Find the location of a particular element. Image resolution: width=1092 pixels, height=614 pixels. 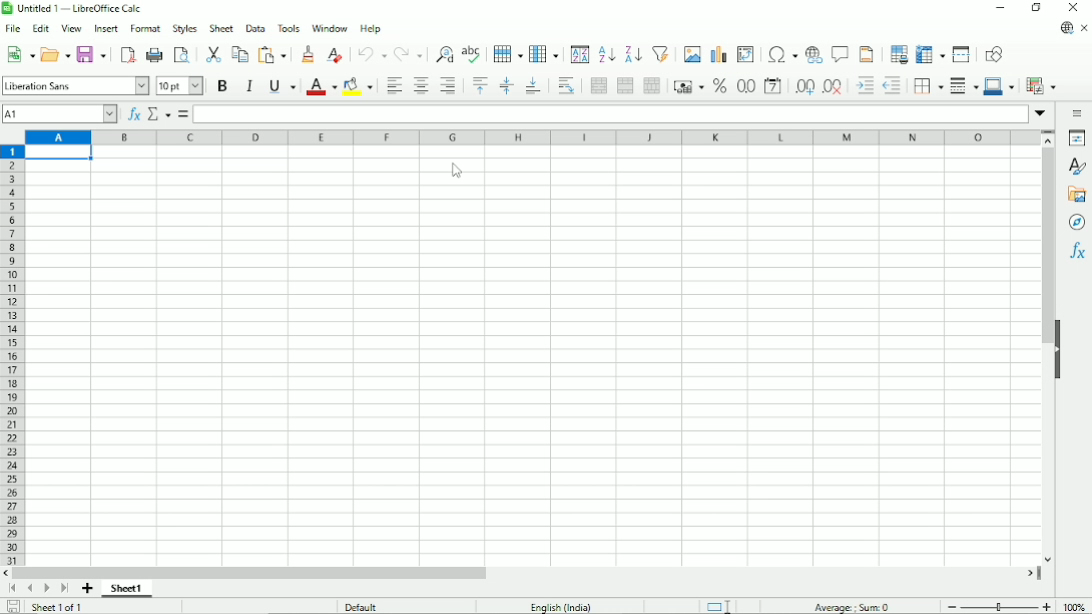

Row is located at coordinates (505, 53).